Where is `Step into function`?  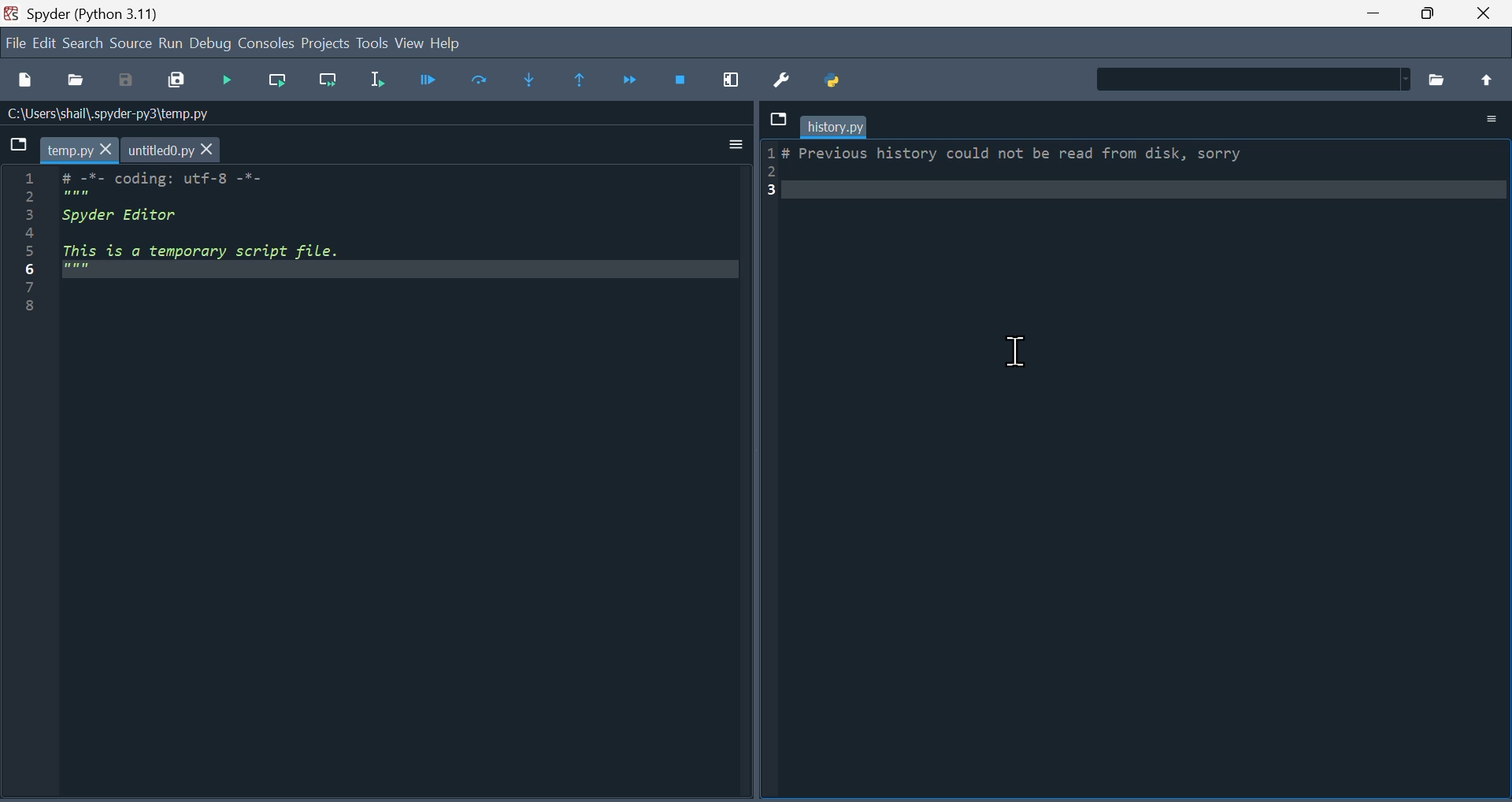 Step into function is located at coordinates (534, 80).